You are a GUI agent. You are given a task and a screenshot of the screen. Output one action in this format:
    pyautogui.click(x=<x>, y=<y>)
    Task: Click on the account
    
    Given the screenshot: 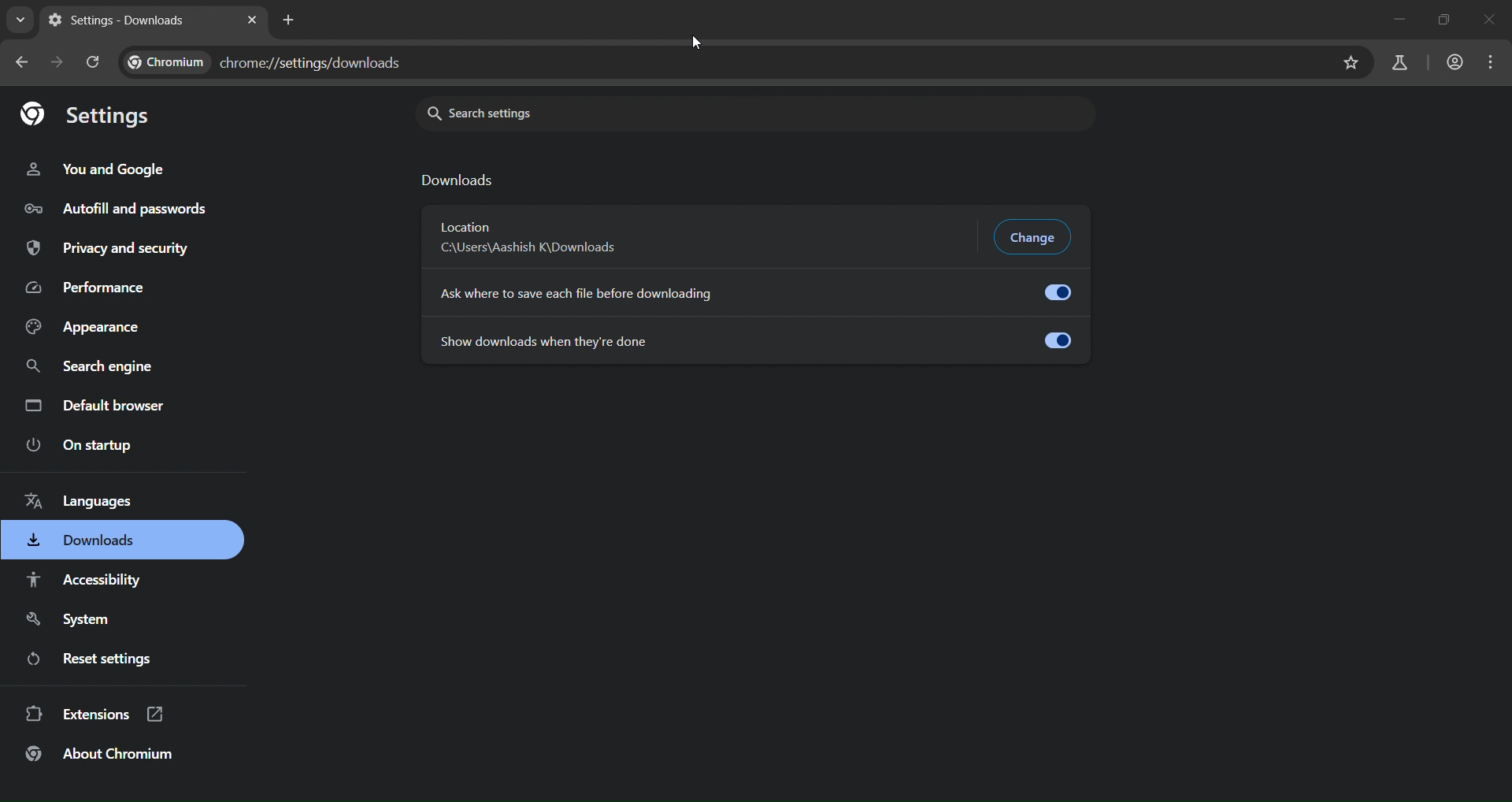 What is the action you would take?
    pyautogui.click(x=1452, y=61)
    